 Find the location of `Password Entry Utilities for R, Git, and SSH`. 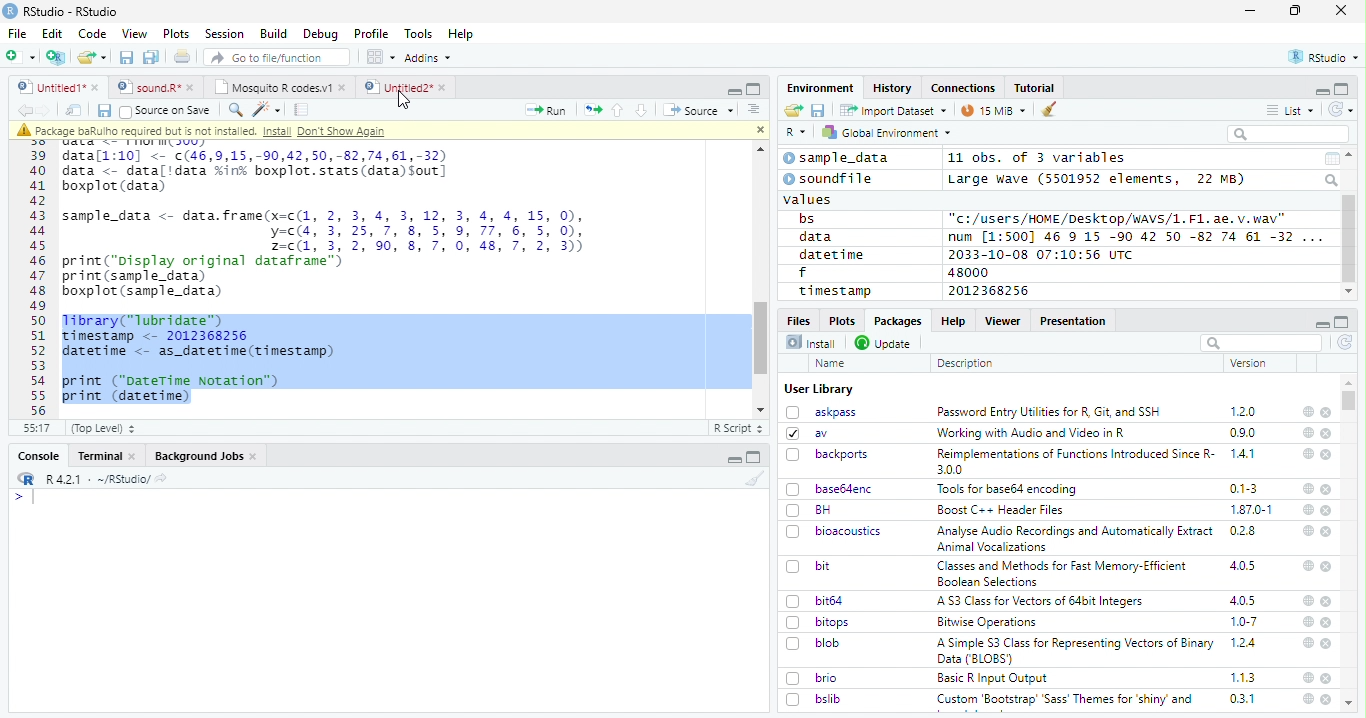

Password Entry Utilities for R, Git, and SSH is located at coordinates (1049, 412).